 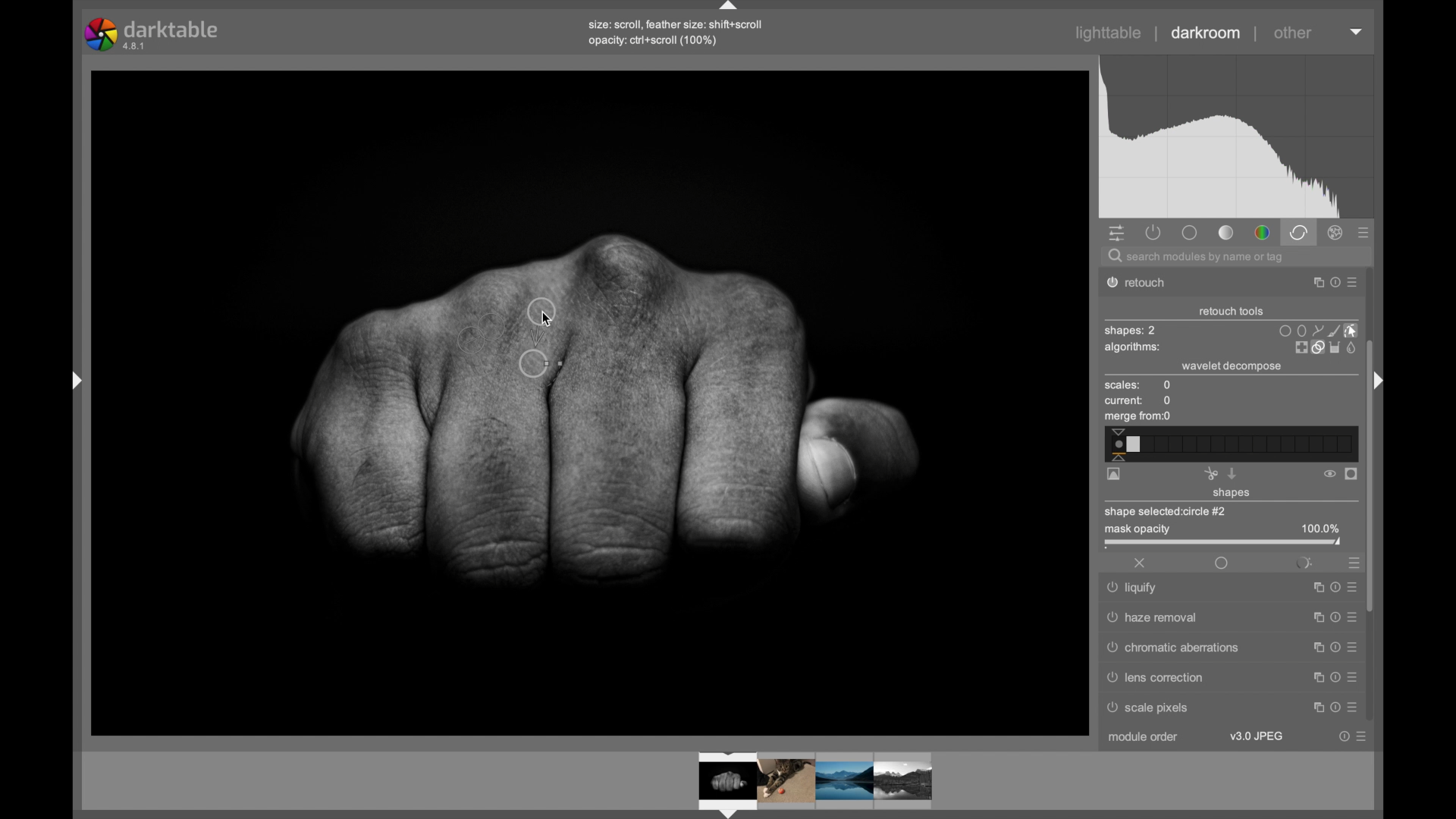 I want to click on scale pixels, so click(x=1153, y=710).